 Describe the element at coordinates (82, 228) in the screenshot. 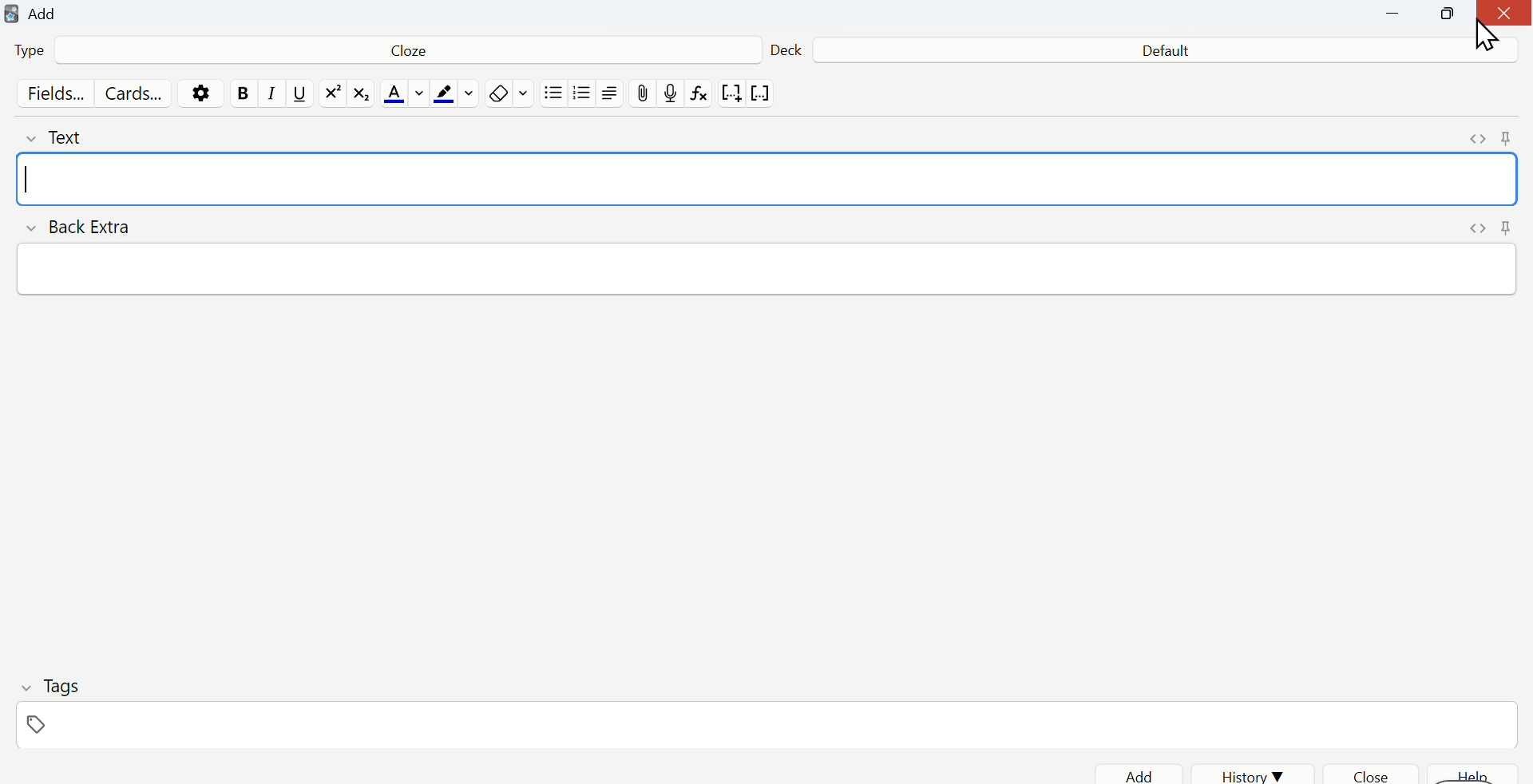

I see `Back Extra` at that location.